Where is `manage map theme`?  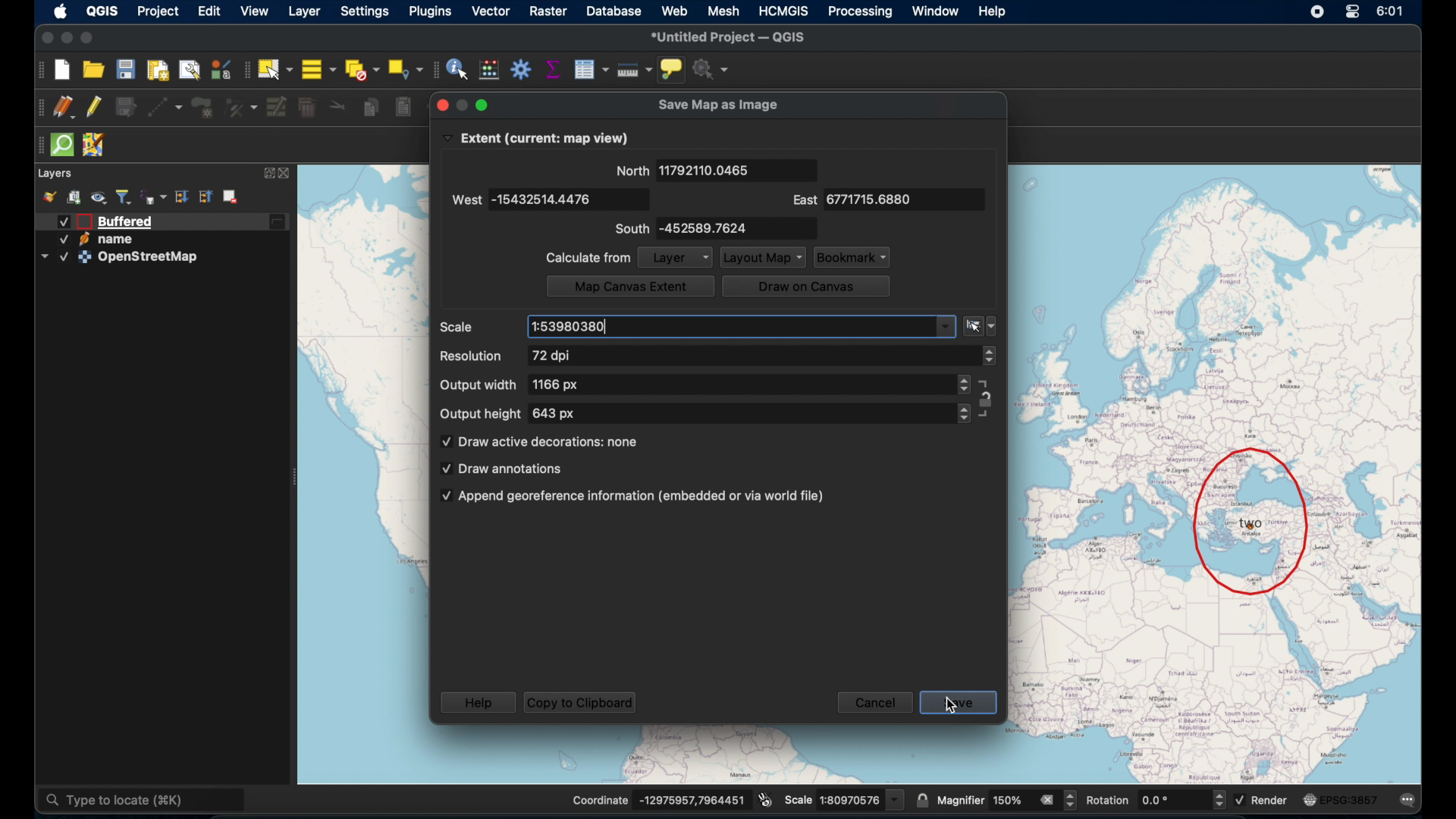 manage map theme is located at coordinates (99, 198).